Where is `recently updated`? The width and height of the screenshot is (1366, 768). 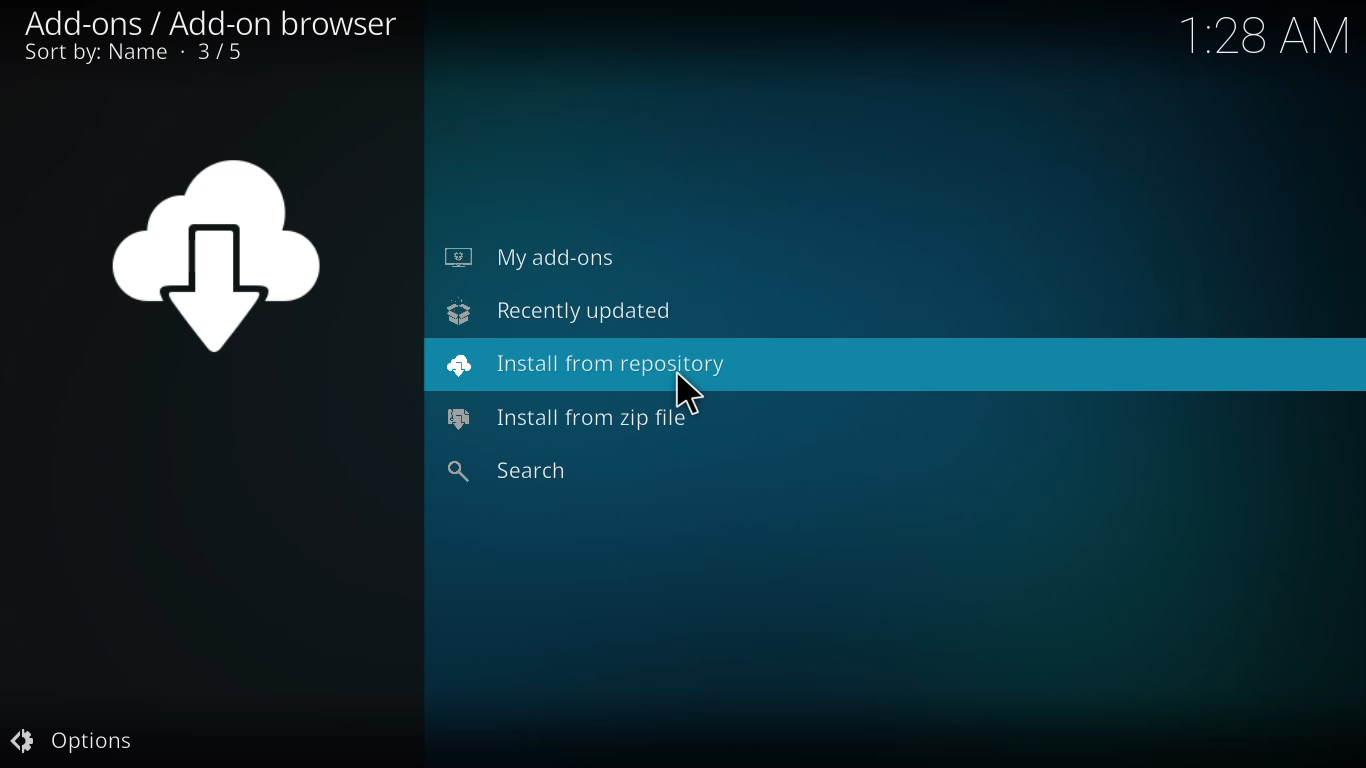
recently updated is located at coordinates (560, 309).